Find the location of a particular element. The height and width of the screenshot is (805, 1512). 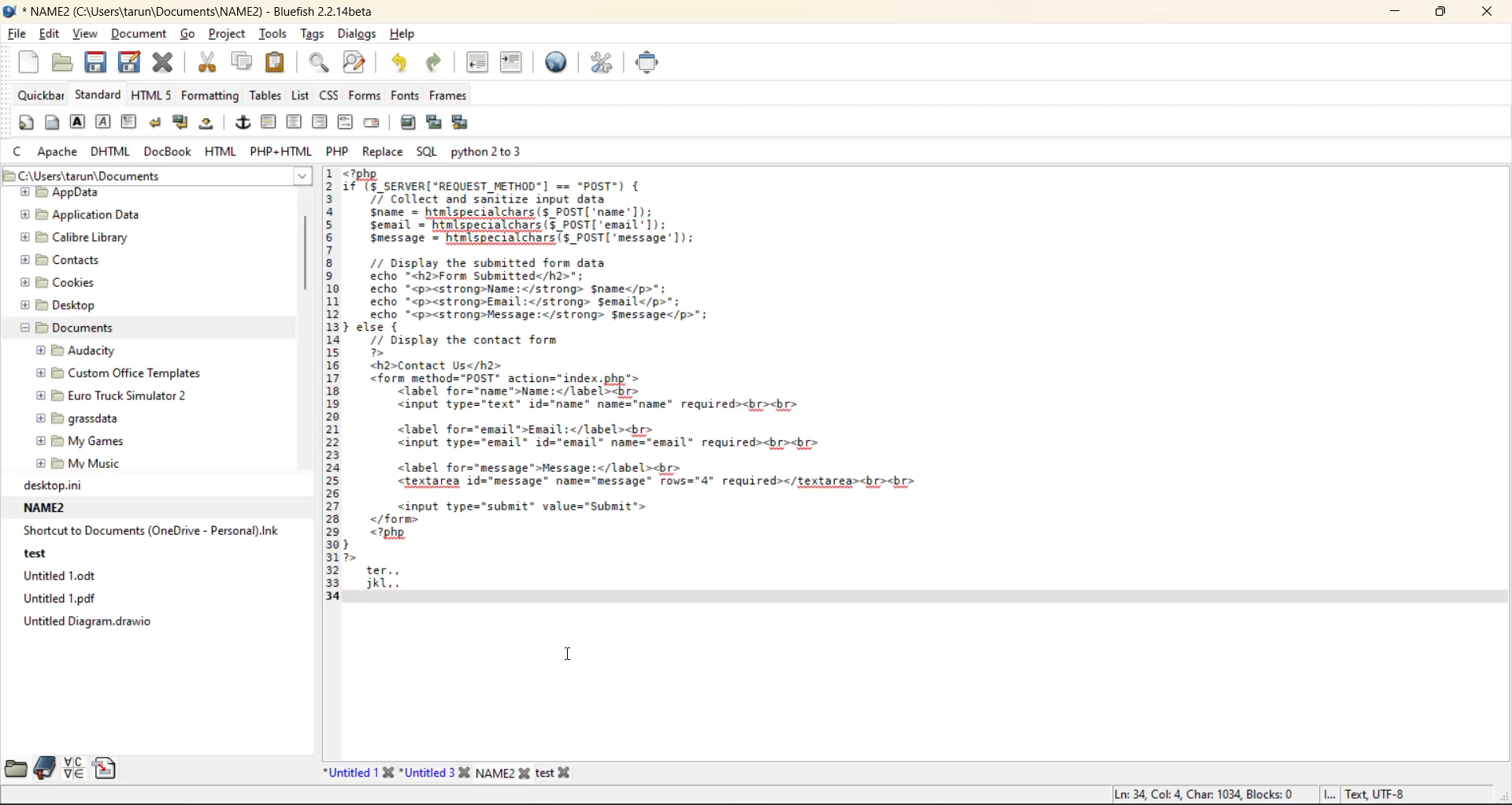

redo is located at coordinates (443, 61).